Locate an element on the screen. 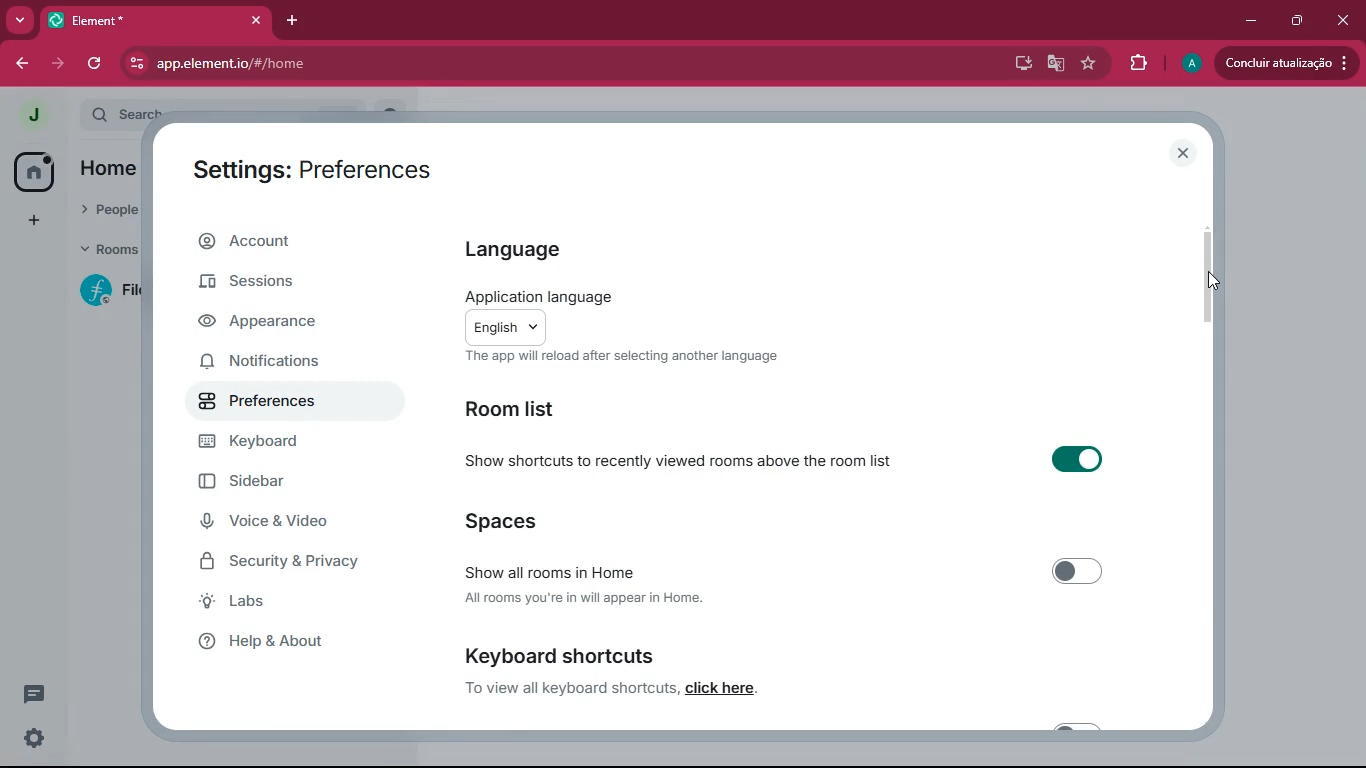 Image resolution: width=1366 pixels, height=768 pixels. maximize is located at coordinates (1293, 22).